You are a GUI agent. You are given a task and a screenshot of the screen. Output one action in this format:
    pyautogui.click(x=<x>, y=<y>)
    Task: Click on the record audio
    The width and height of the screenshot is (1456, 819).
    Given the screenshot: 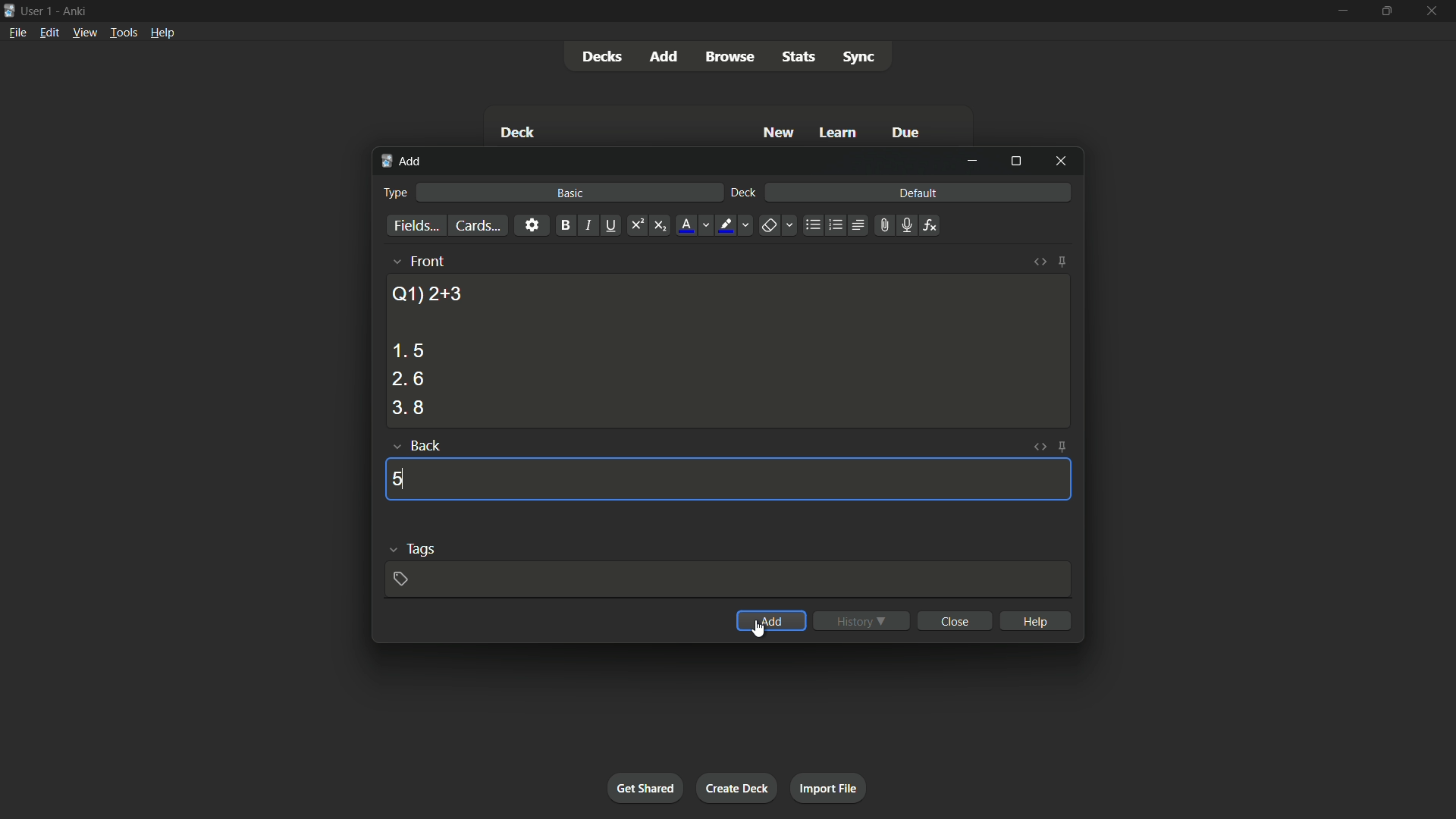 What is the action you would take?
    pyautogui.click(x=905, y=226)
    